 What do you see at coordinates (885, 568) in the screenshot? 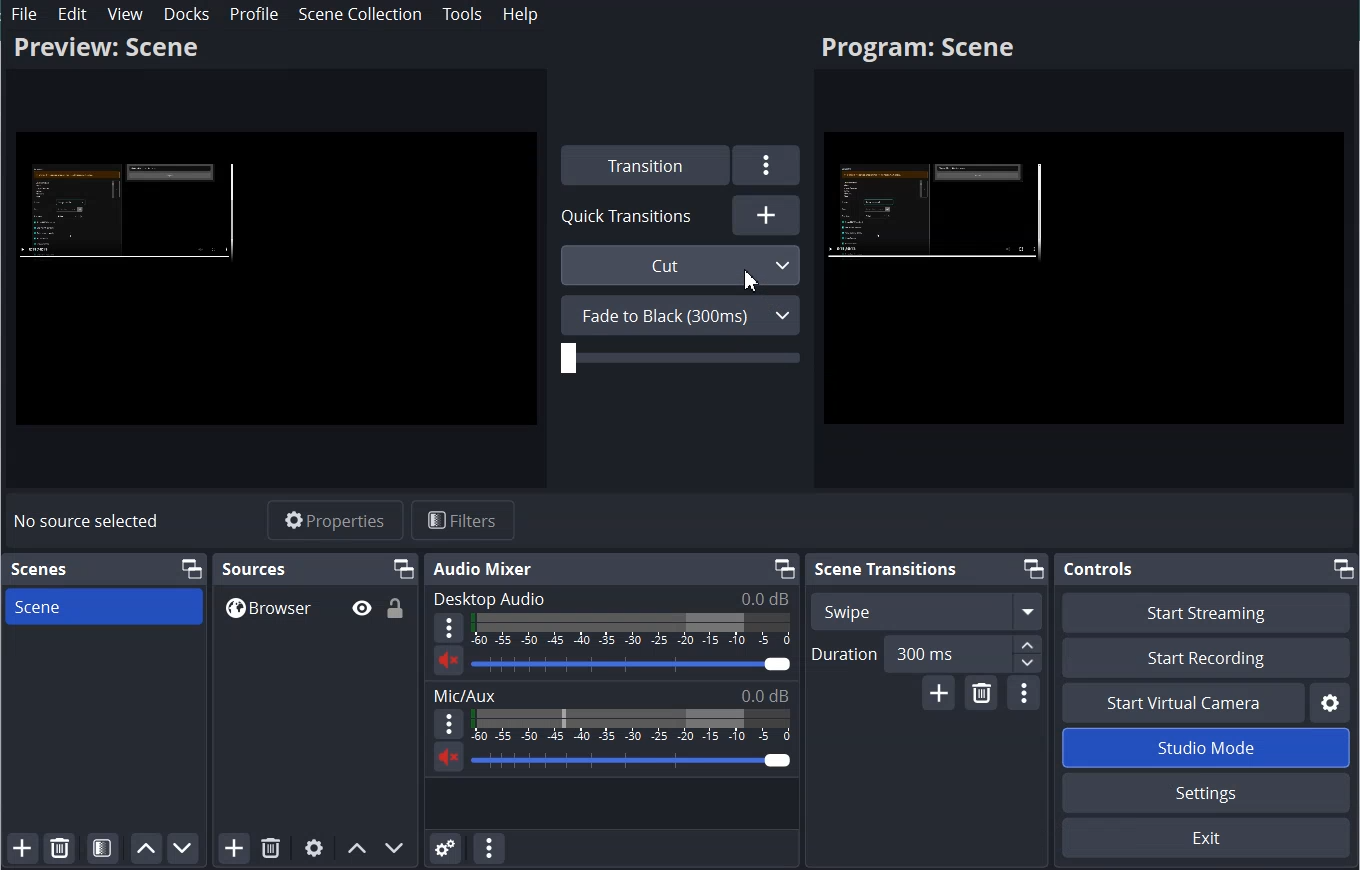
I see `Scene Transition` at bounding box center [885, 568].